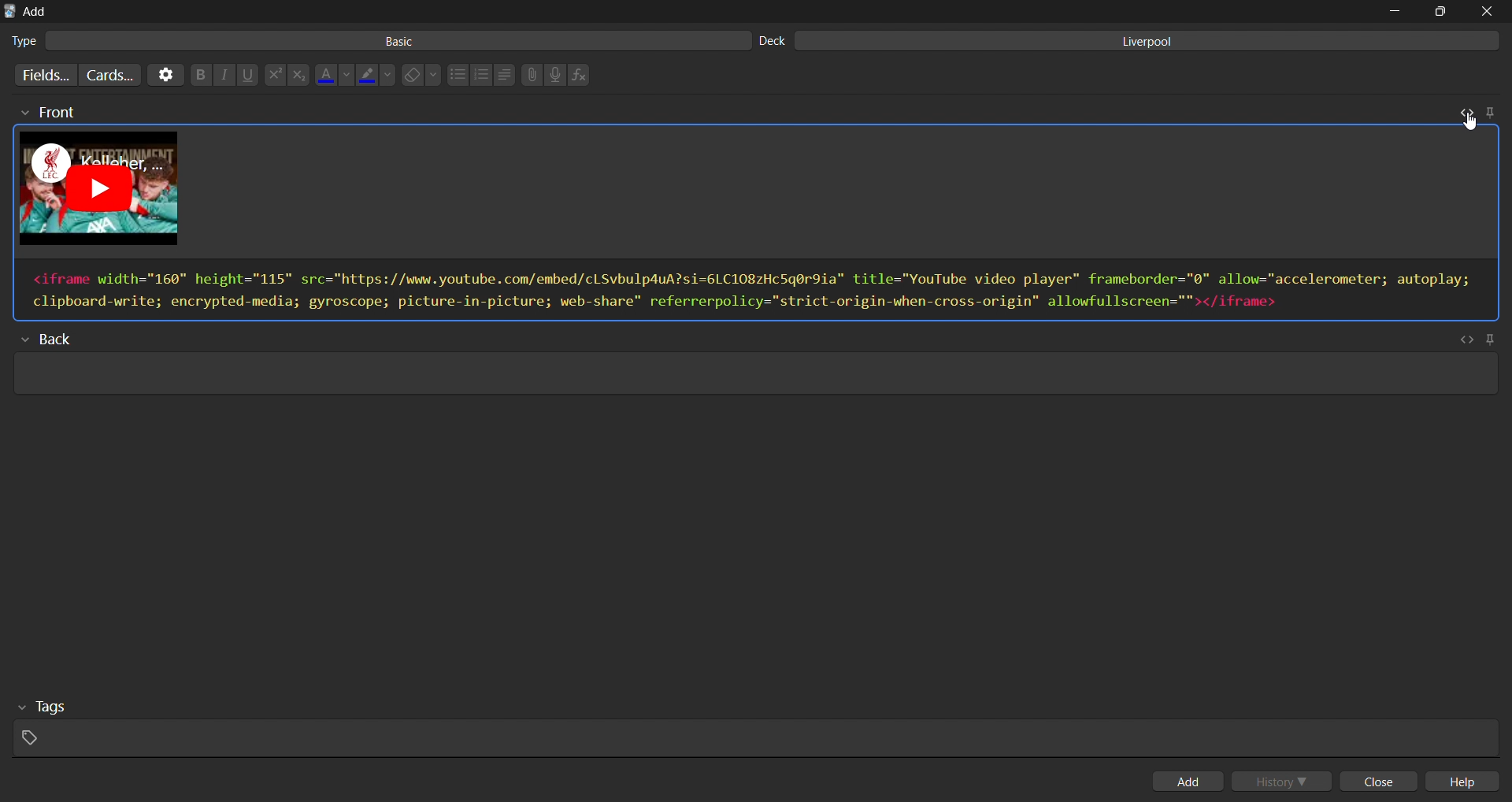 This screenshot has height=802, width=1512. Describe the element at coordinates (758, 291) in the screenshot. I see `html editor` at that location.